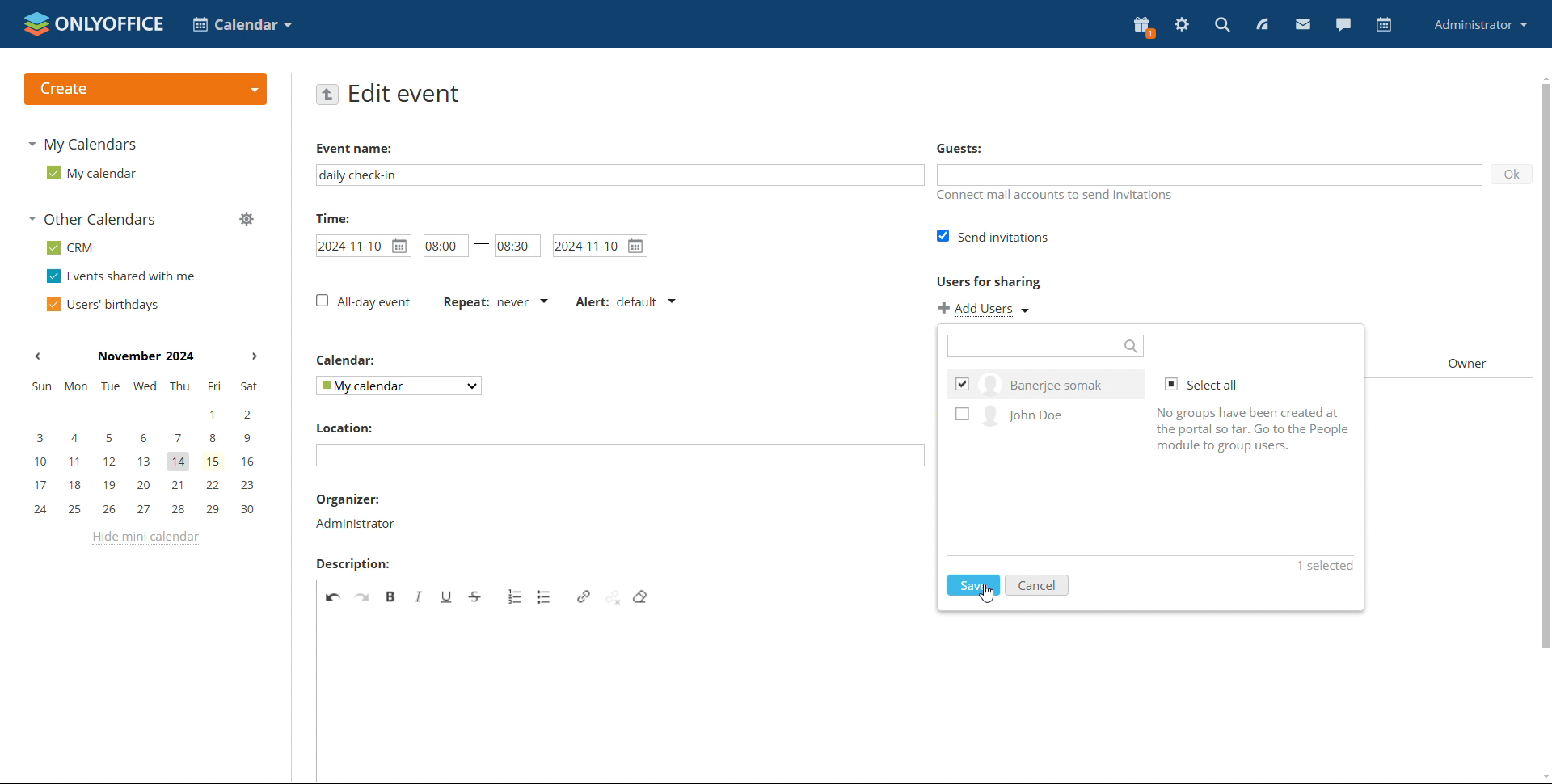 This screenshot has height=784, width=1552. What do you see at coordinates (623, 698) in the screenshot?
I see `add description` at bounding box center [623, 698].